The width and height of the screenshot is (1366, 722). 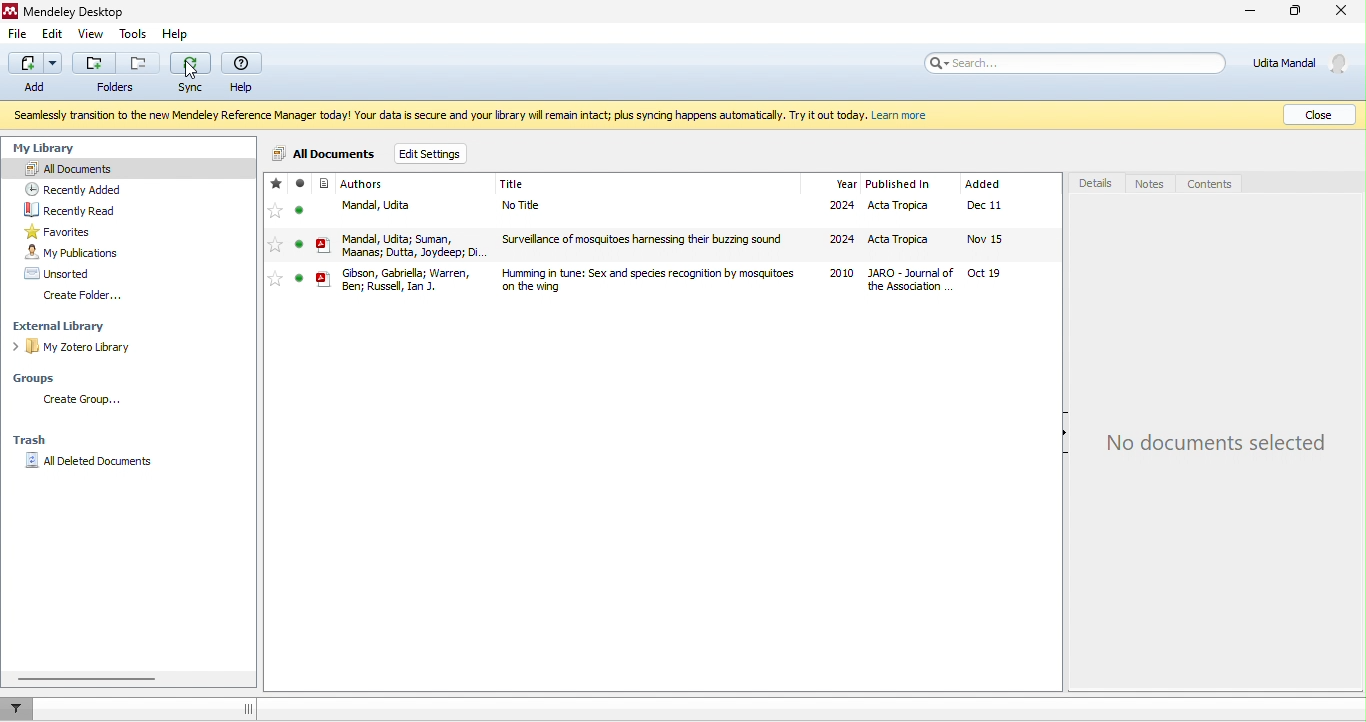 What do you see at coordinates (34, 437) in the screenshot?
I see `trash` at bounding box center [34, 437].